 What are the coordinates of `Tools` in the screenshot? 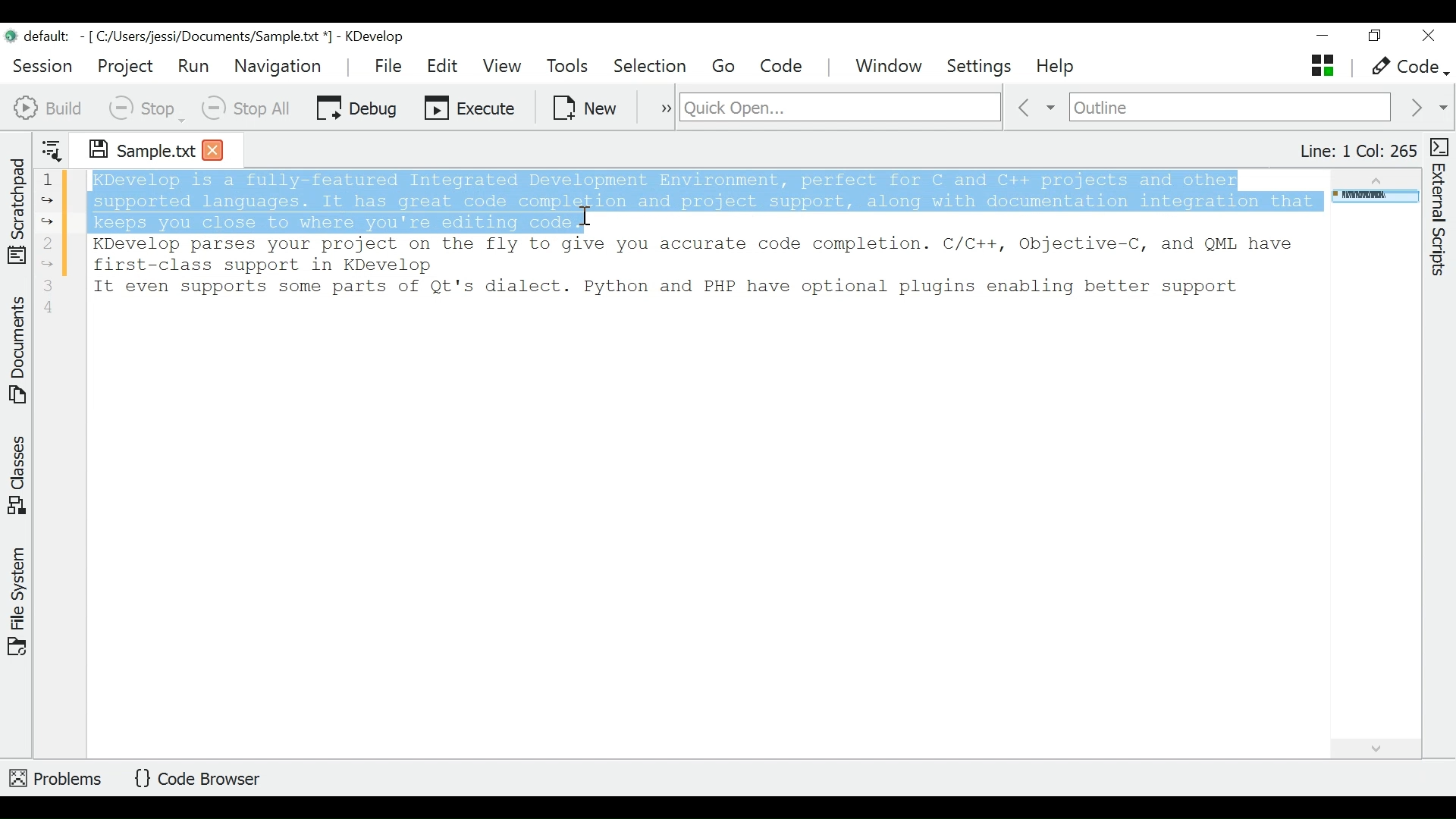 It's located at (572, 67).